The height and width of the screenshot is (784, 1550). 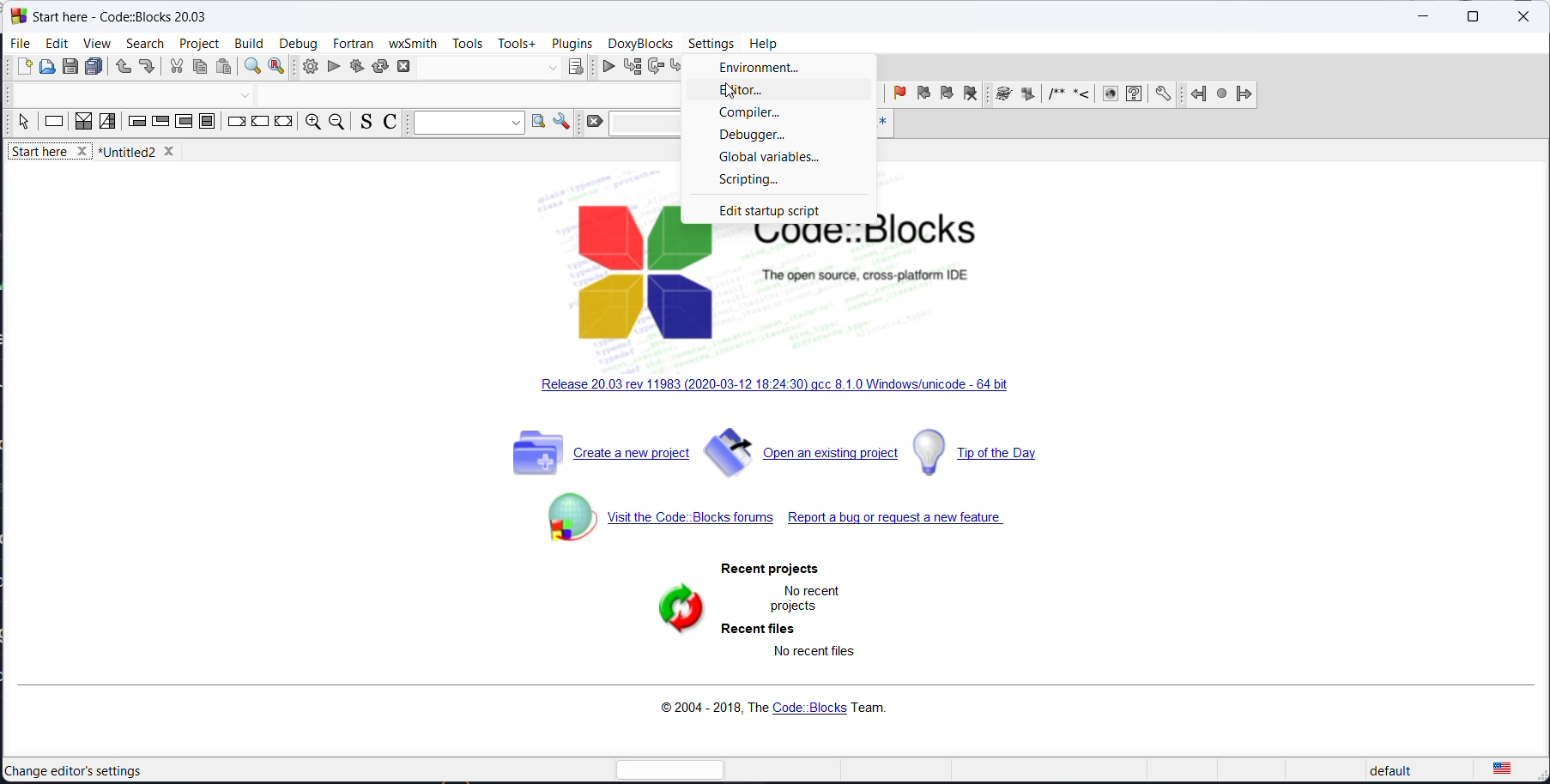 I want to click on open, so click(x=49, y=69).